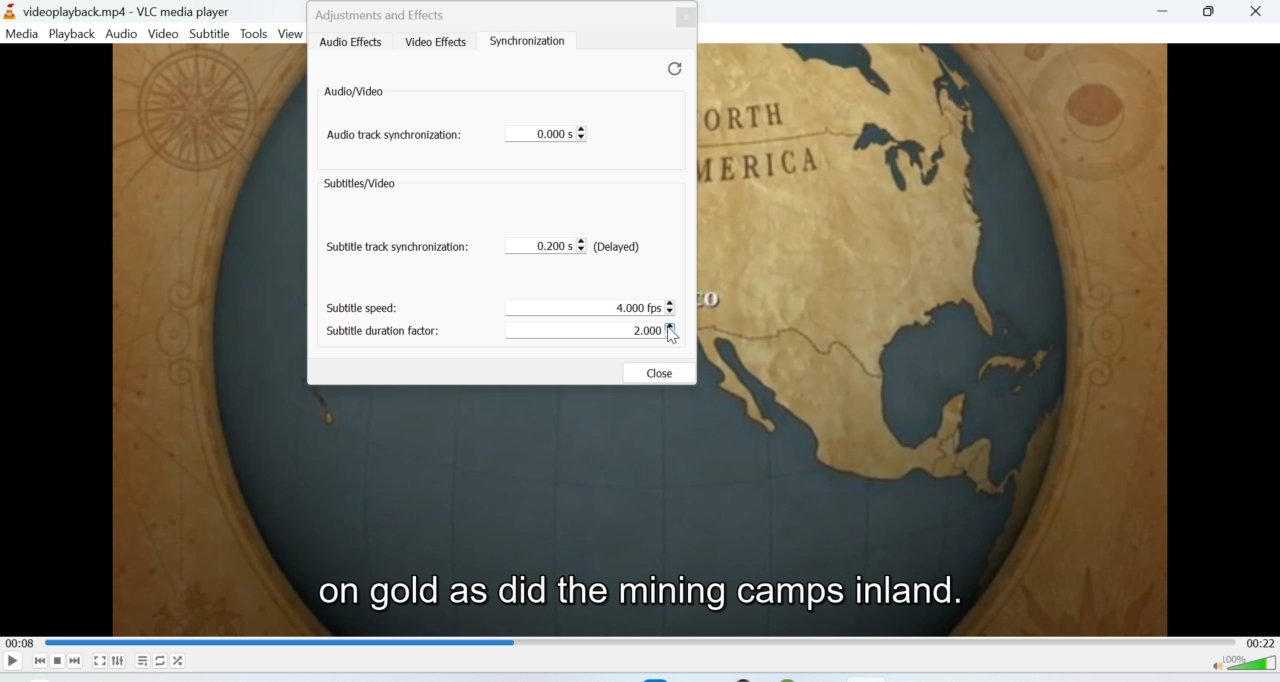 The height and width of the screenshot is (682, 1280). I want to click on Video, so click(164, 34).